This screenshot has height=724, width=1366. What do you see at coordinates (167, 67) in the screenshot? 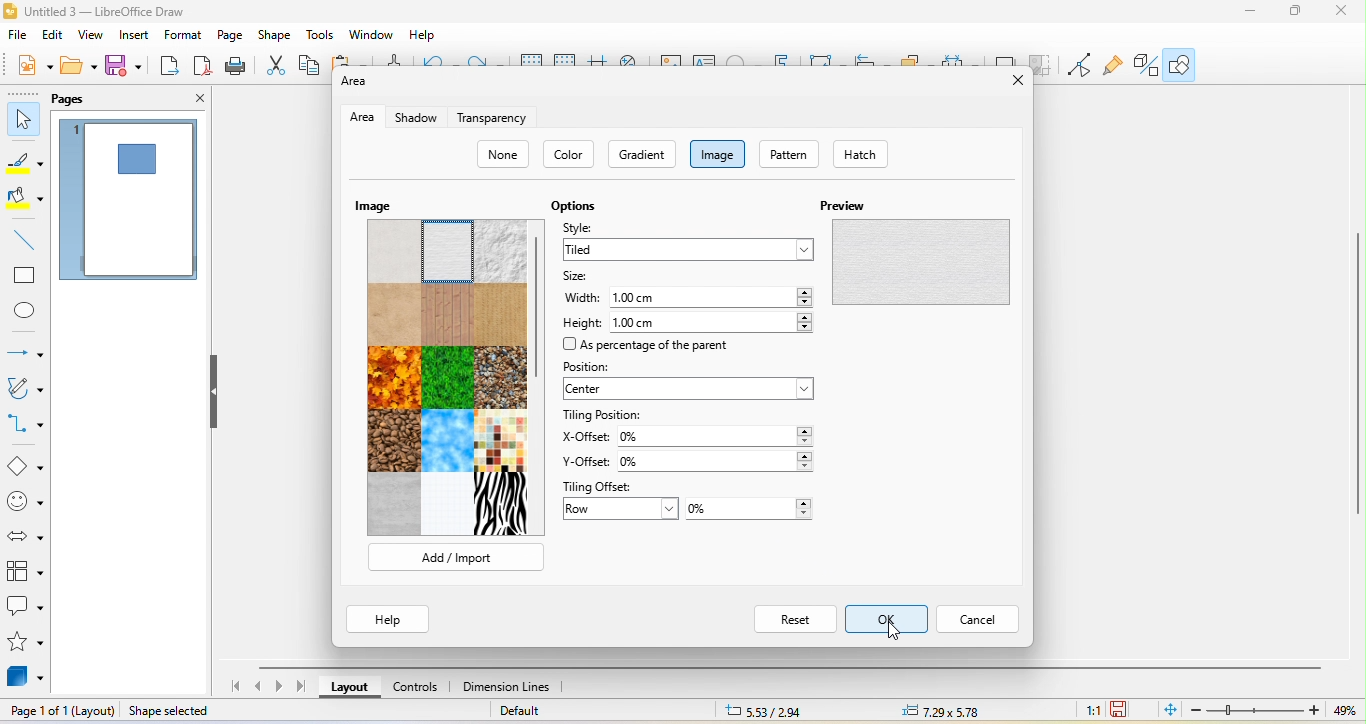
I see `export` at bounding box center [167, 67].